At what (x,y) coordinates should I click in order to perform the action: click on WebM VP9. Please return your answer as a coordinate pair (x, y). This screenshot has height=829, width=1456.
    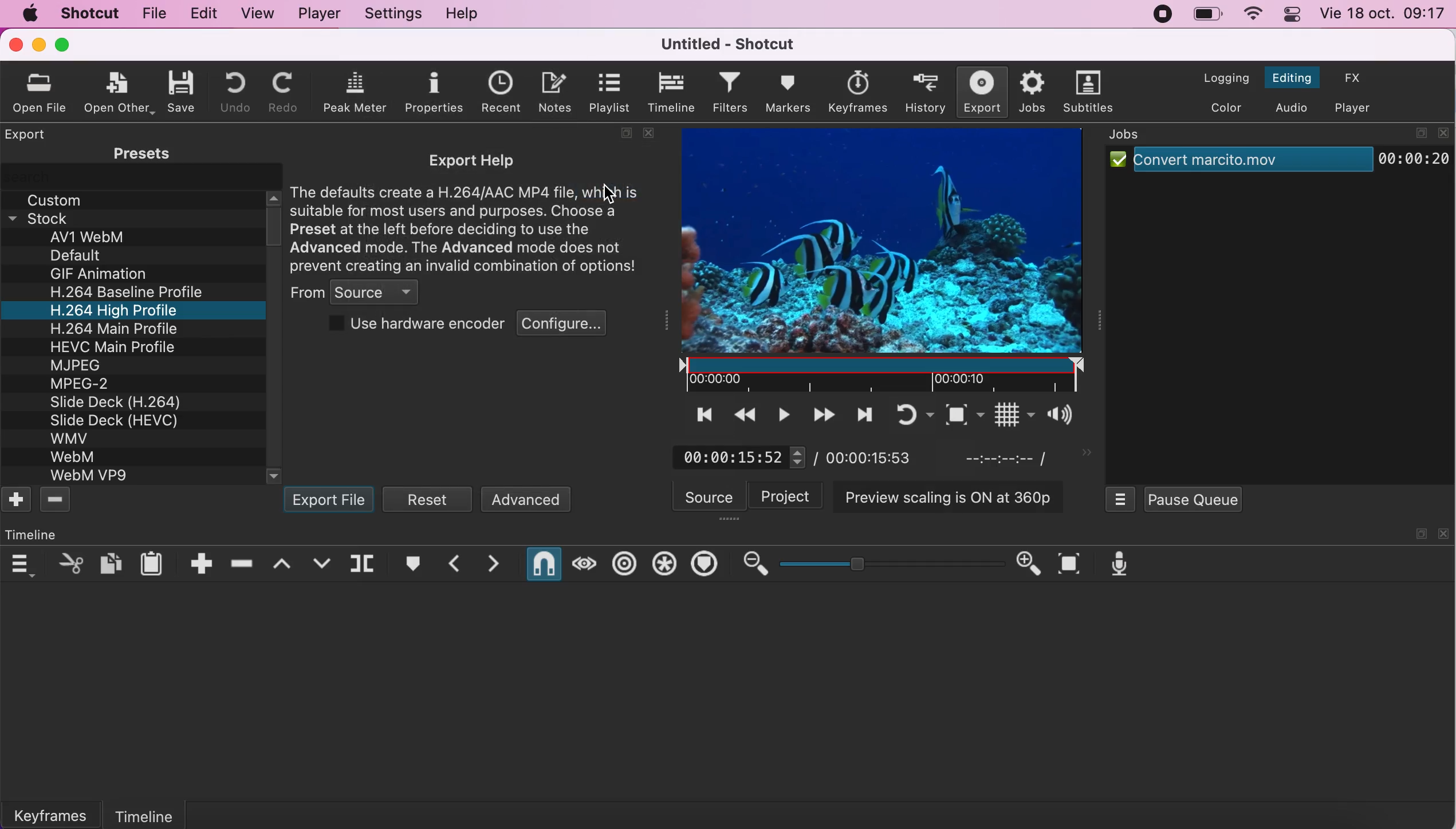
    Looking at the image, I should click on (91, 476).